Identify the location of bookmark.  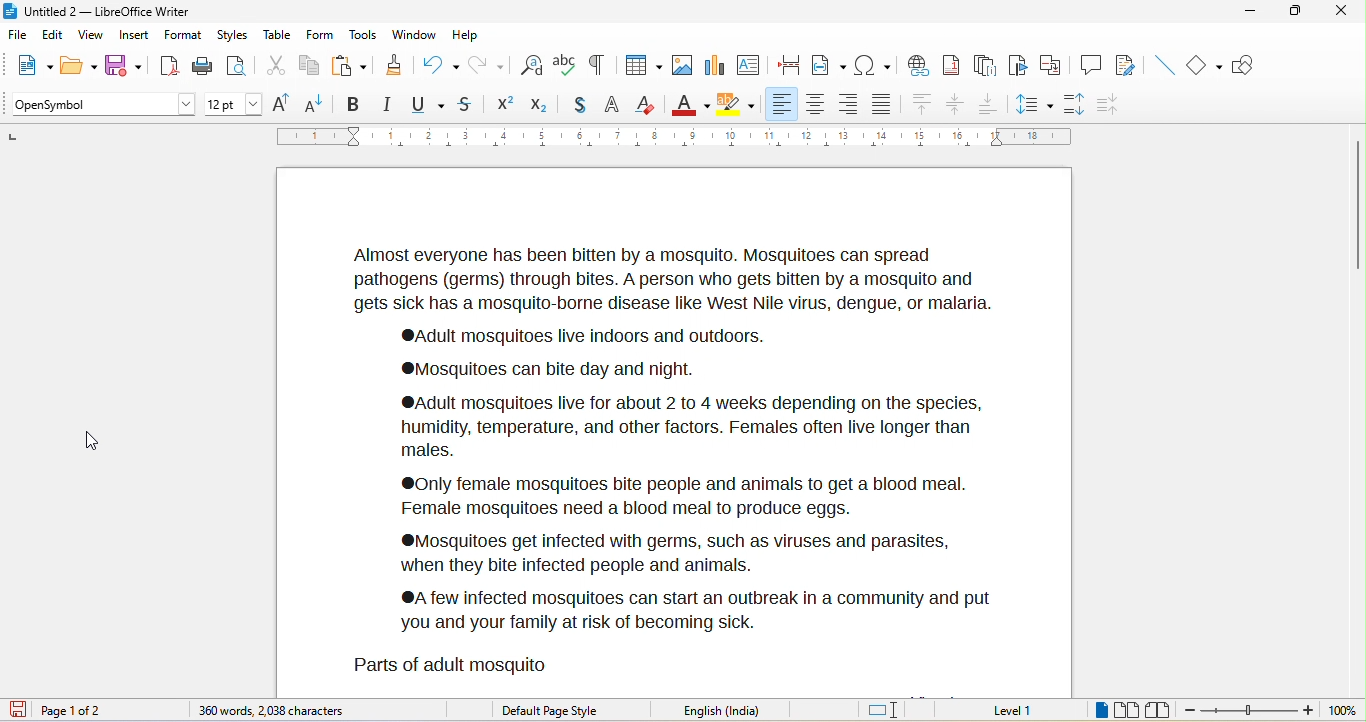
(1017, 68).